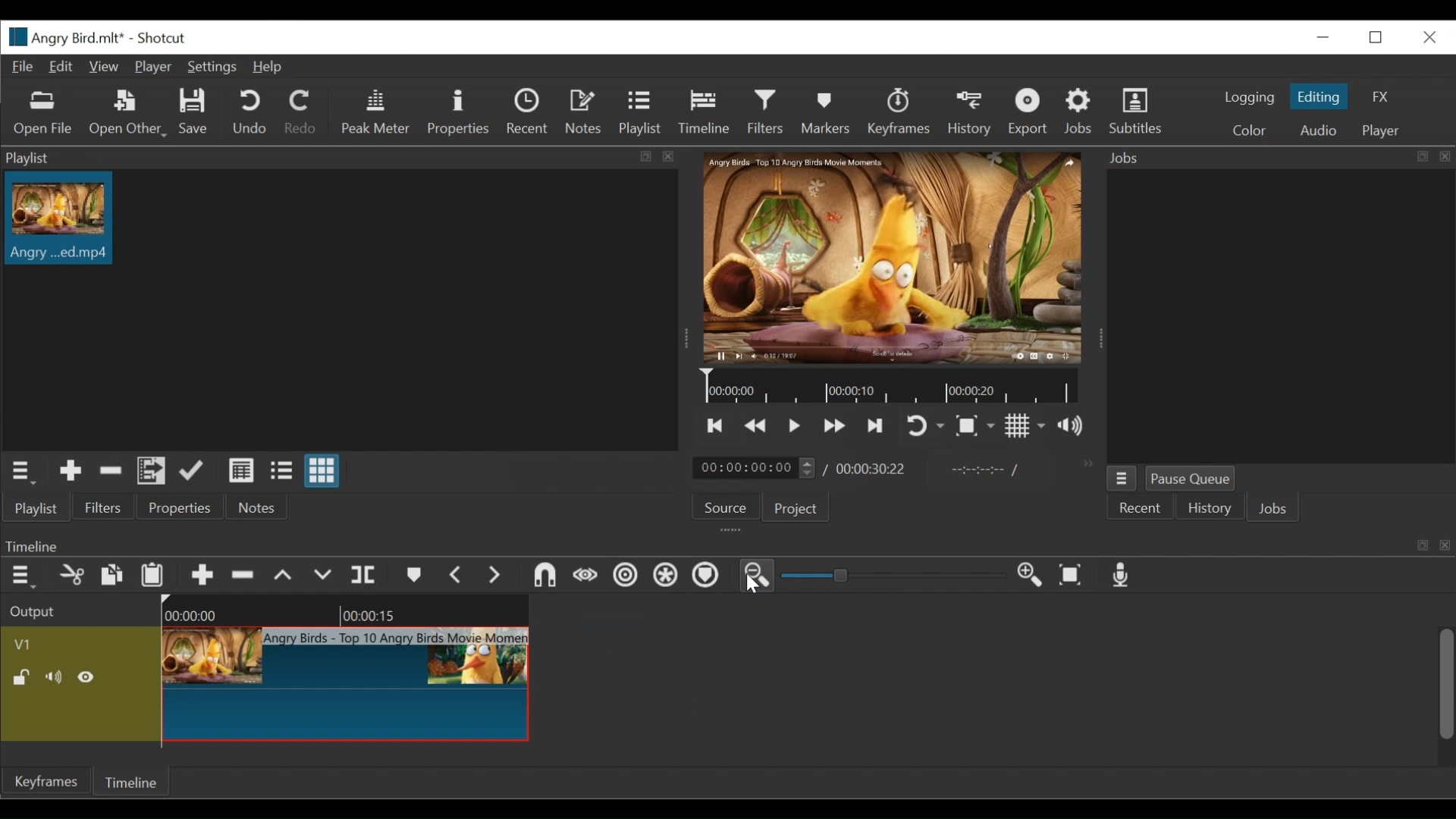 Image resolution: width=1456 pixels, height=819 pixels. What do you see at coordinates (455, 575) in the screenshot?
I see `previous` at bounding box center [455, 575].